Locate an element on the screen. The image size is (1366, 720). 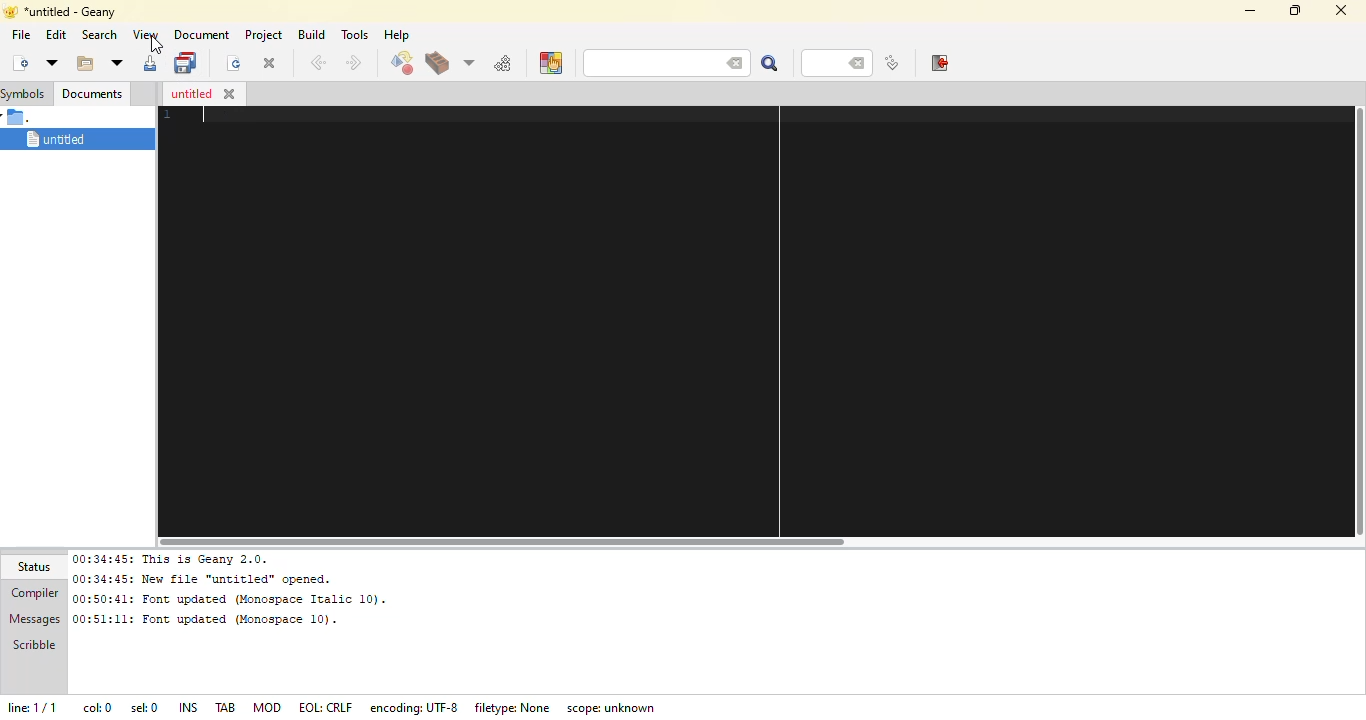
file is located at coordinates (20, 34).